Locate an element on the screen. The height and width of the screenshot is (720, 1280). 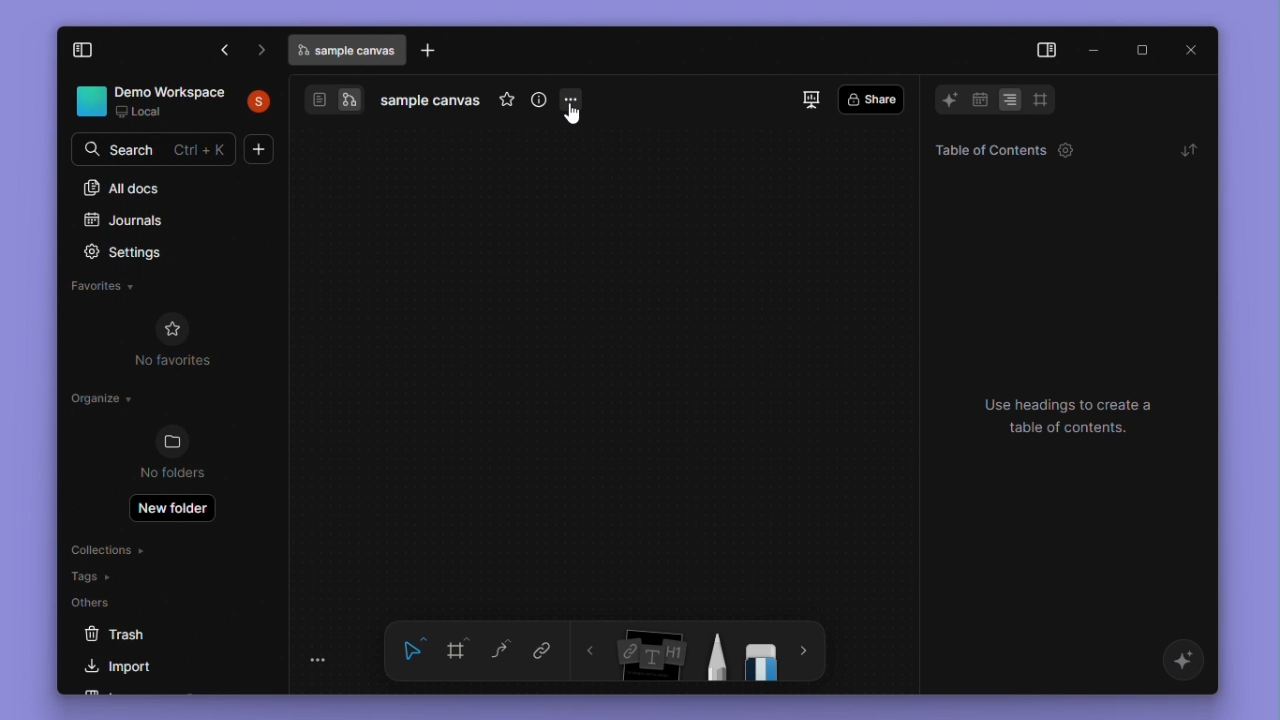
Collapse side pane is located at coordinates (1045, 51).